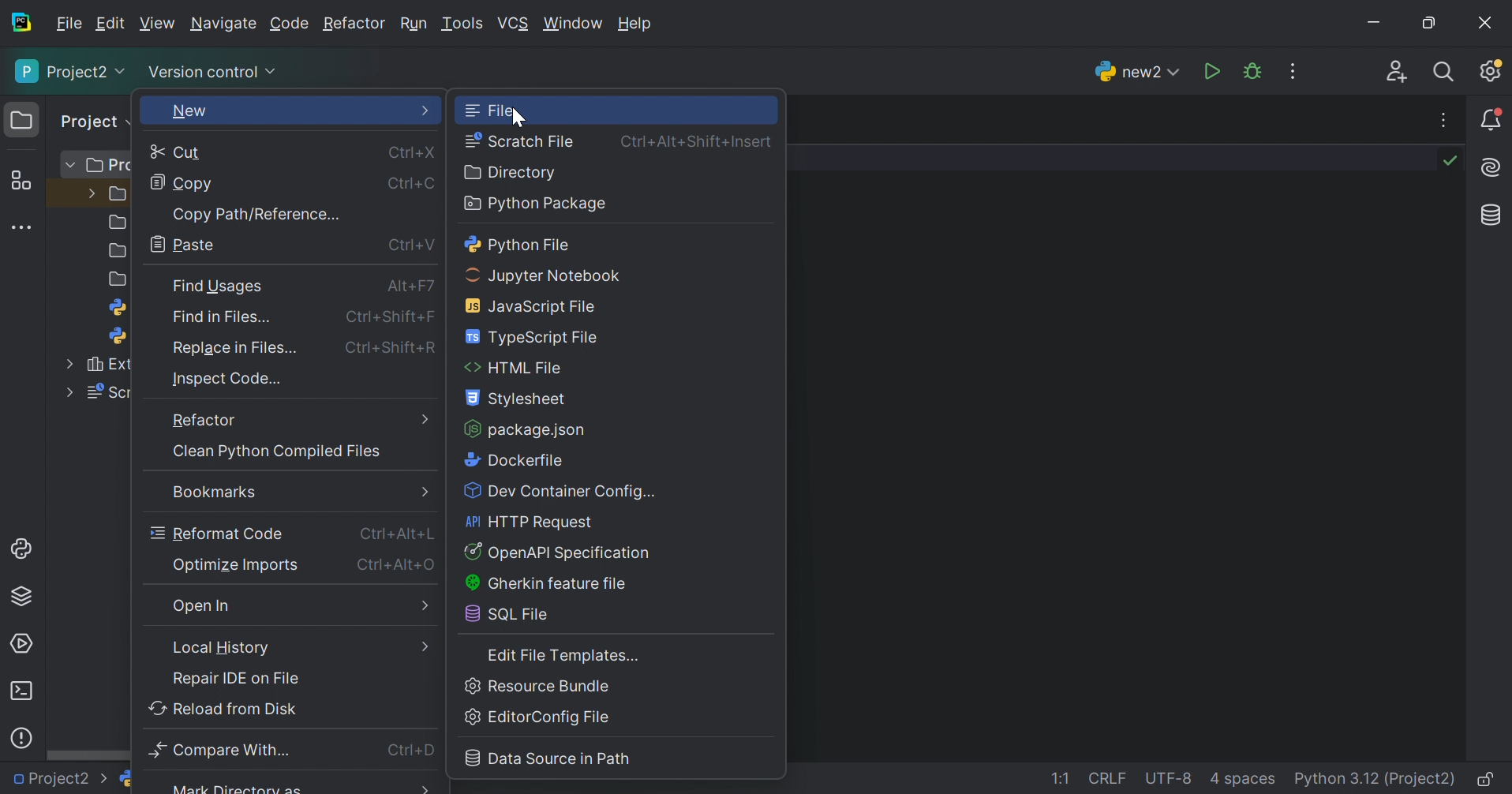  I want to click on Ctrl+Alt+O, so click(399, 564).